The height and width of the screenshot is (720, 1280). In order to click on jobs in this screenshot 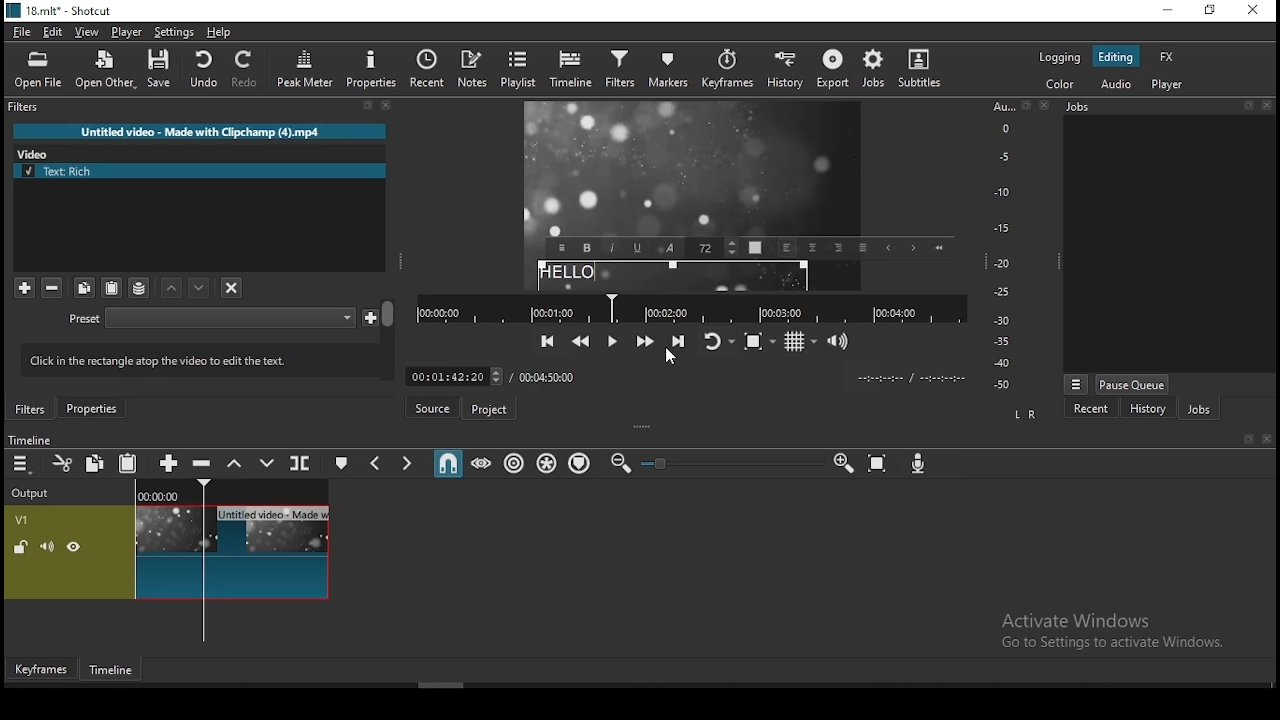, I will do `click(875, 70)`.